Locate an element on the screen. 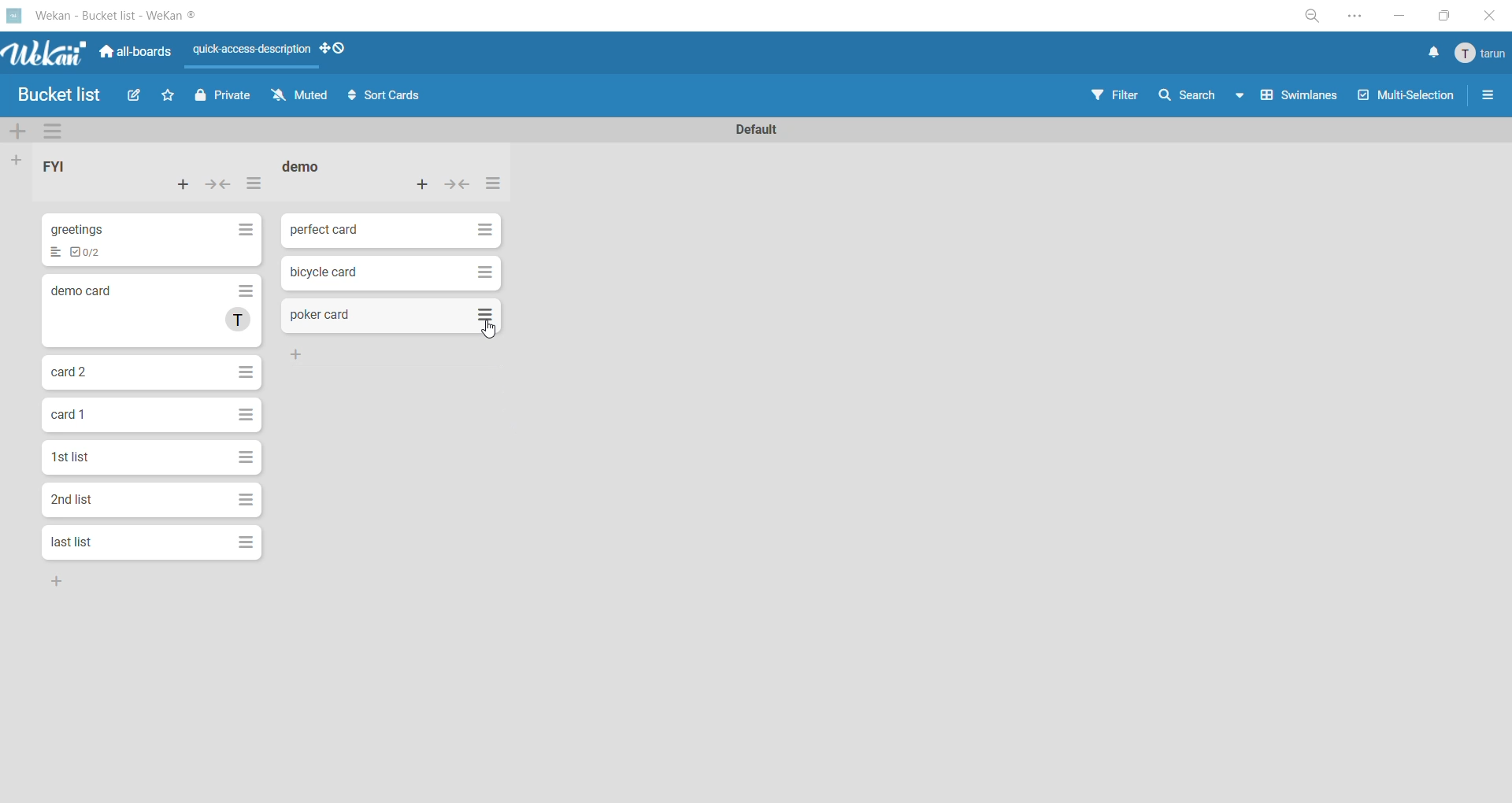  add list is located at coordinates (20, 160).